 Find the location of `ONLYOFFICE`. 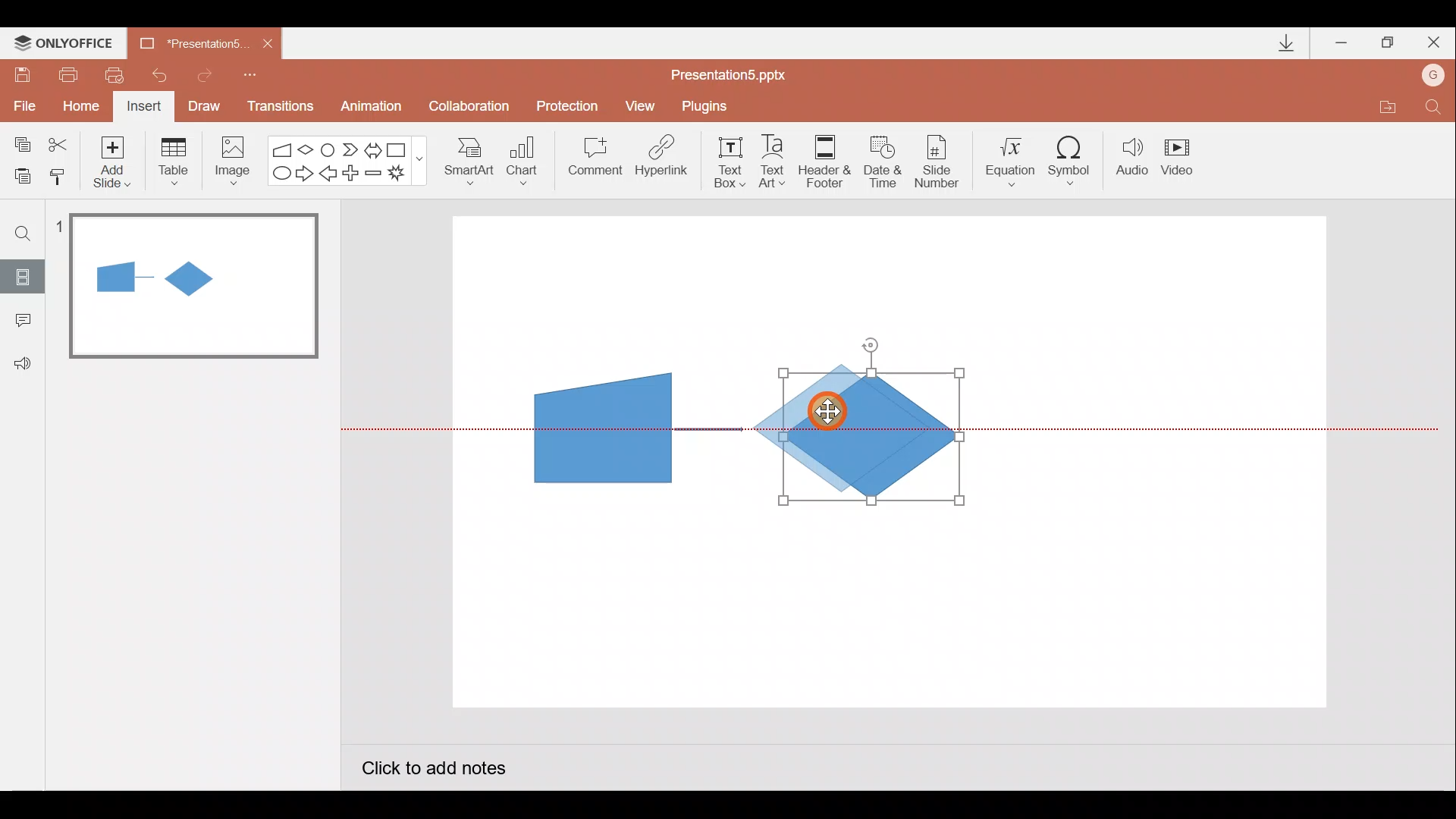

ONLYOFFICE is located at coordinates (67, 43).